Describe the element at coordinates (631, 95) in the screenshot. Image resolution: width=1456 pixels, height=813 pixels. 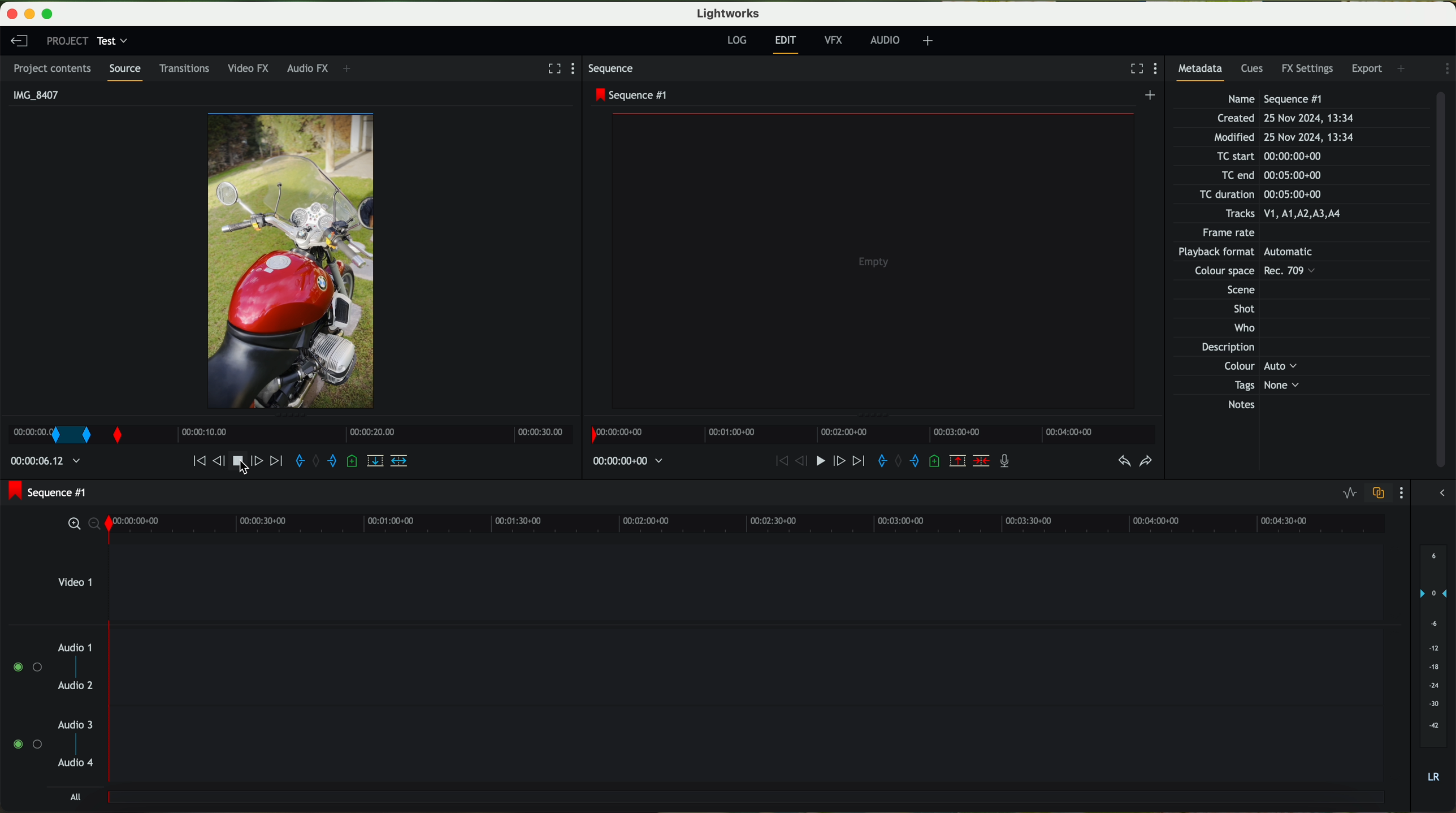
I see `sequence #1` at that location.